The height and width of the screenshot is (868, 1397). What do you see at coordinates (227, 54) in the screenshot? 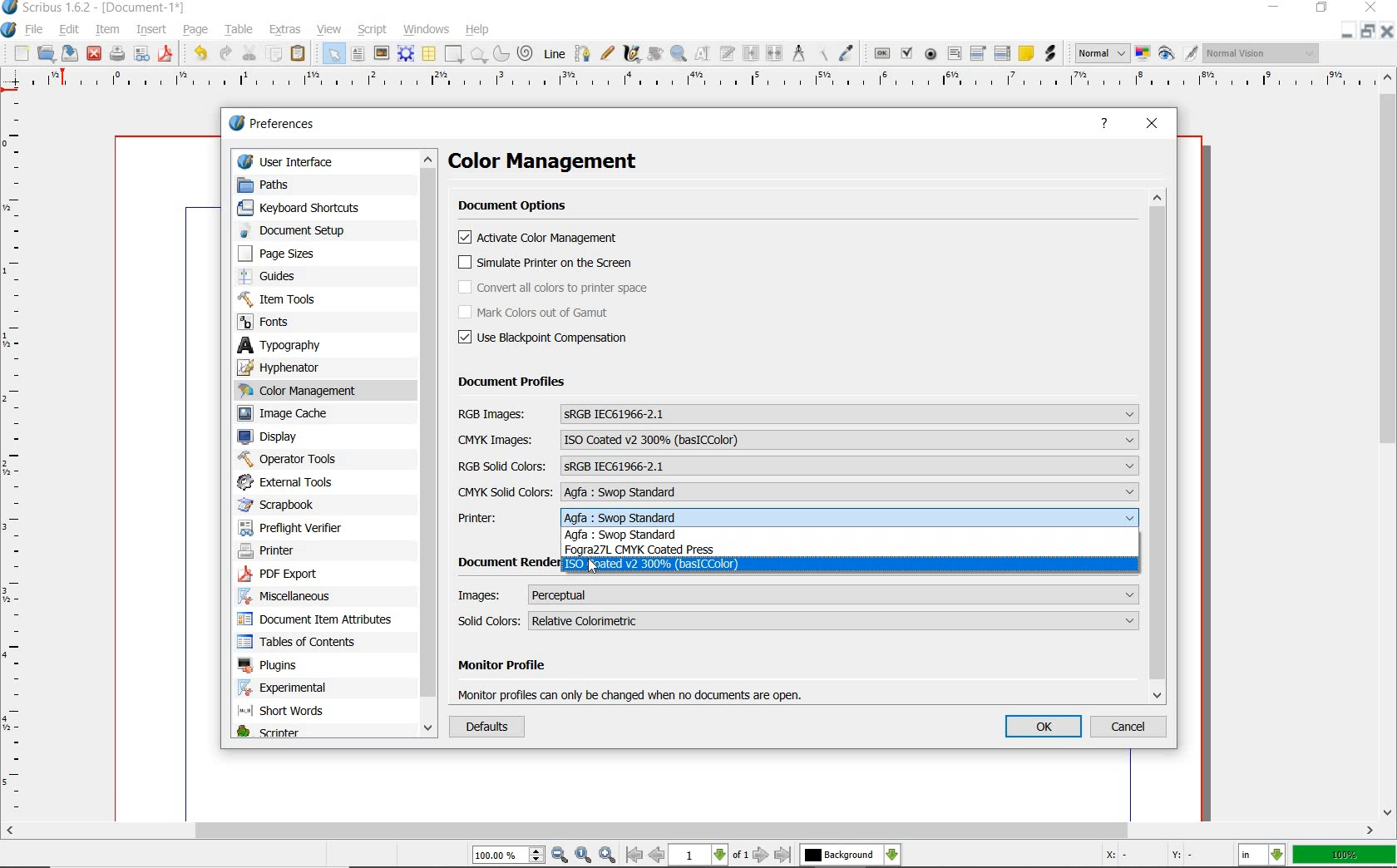
I see `redo` at bounding box center [227, 54].